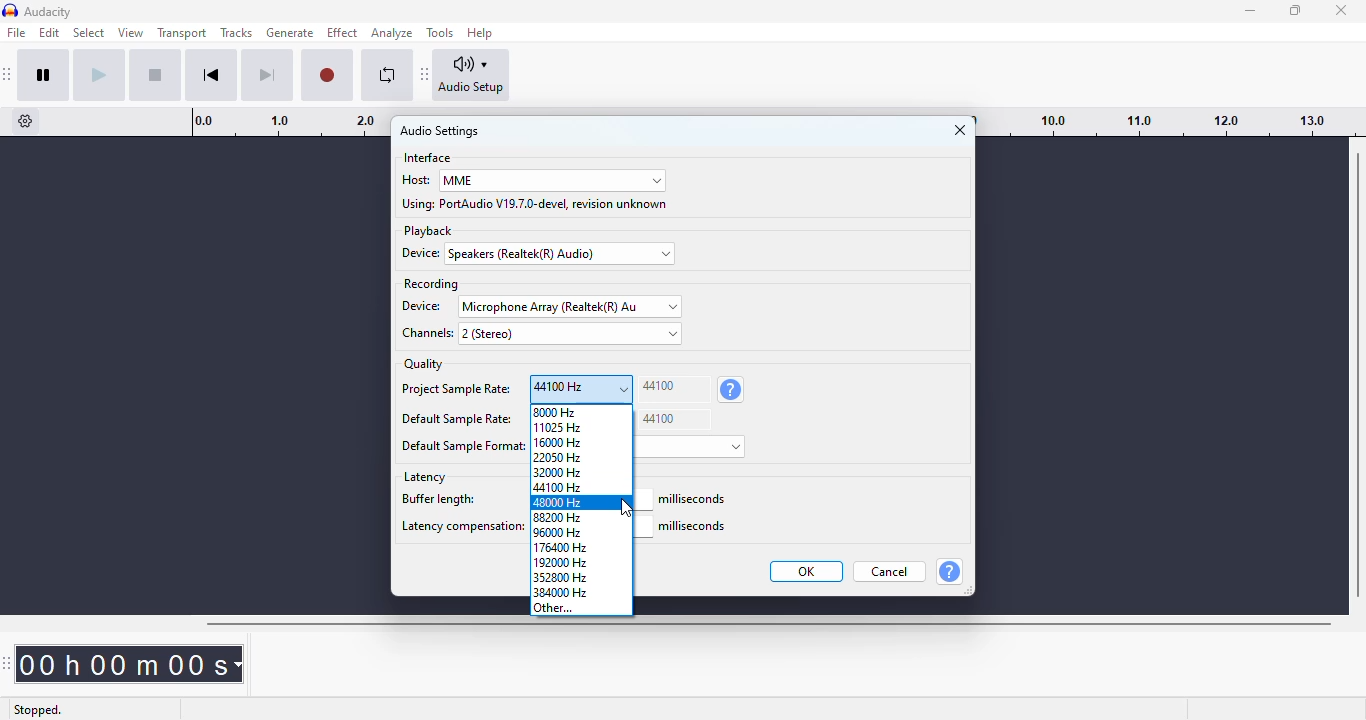  I want to click on play, so click(99, 75).